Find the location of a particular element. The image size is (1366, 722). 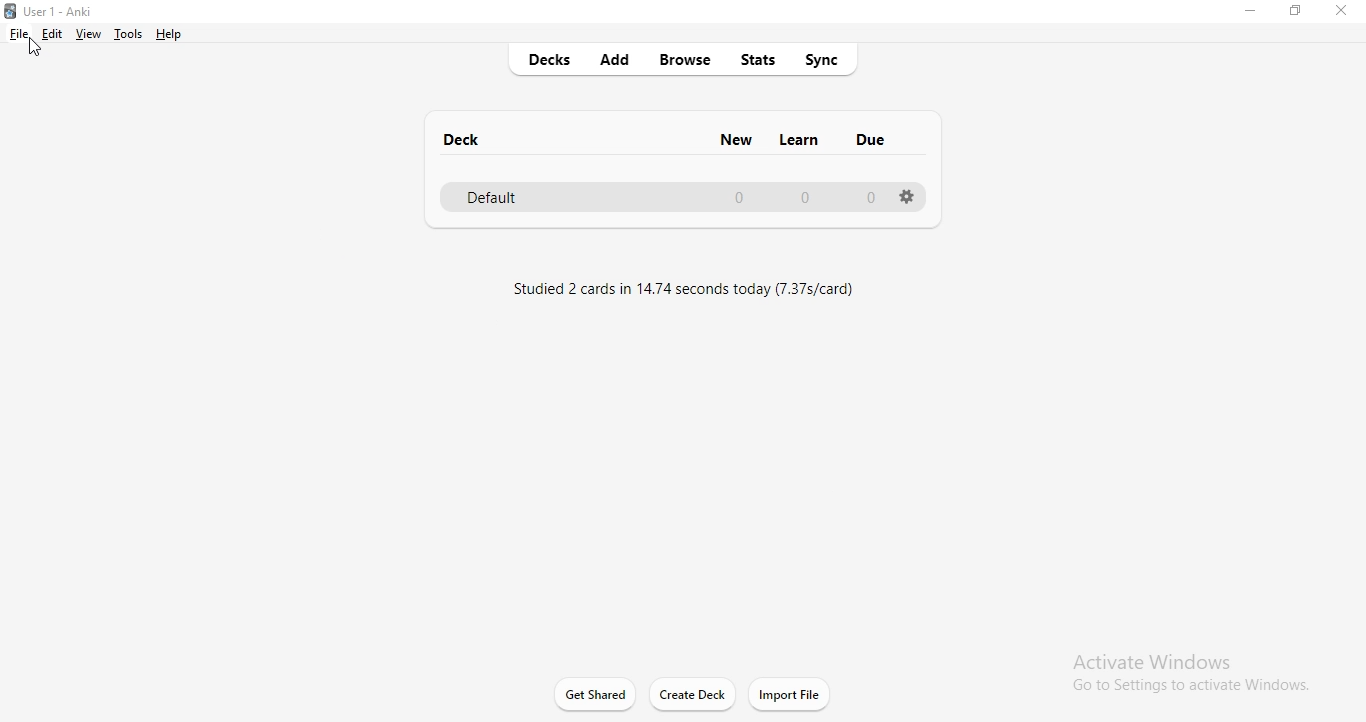

help is located at coordinates (174, 35).